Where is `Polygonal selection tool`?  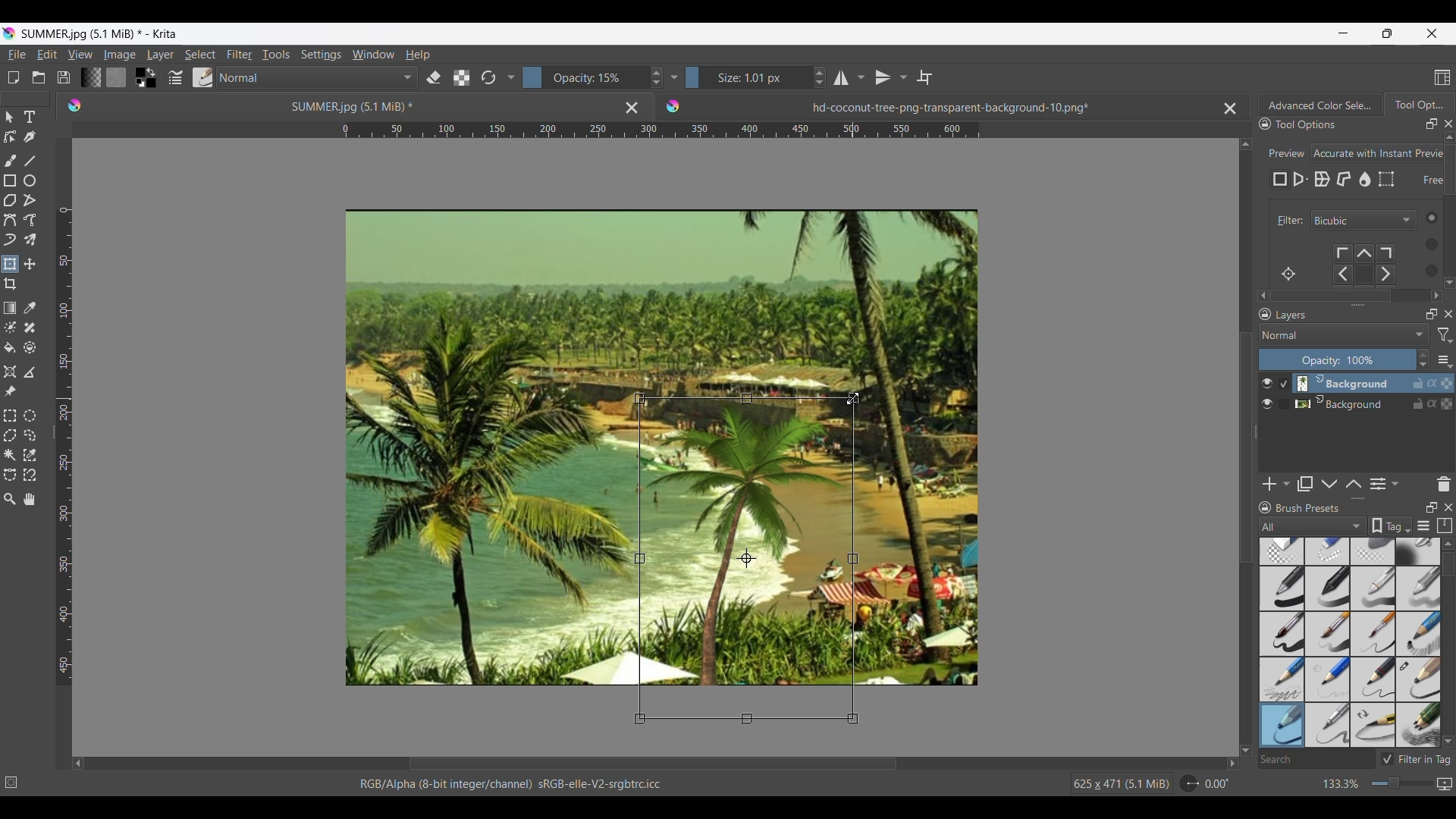
Polygonal selection tool is located at coordinates (10, 435).